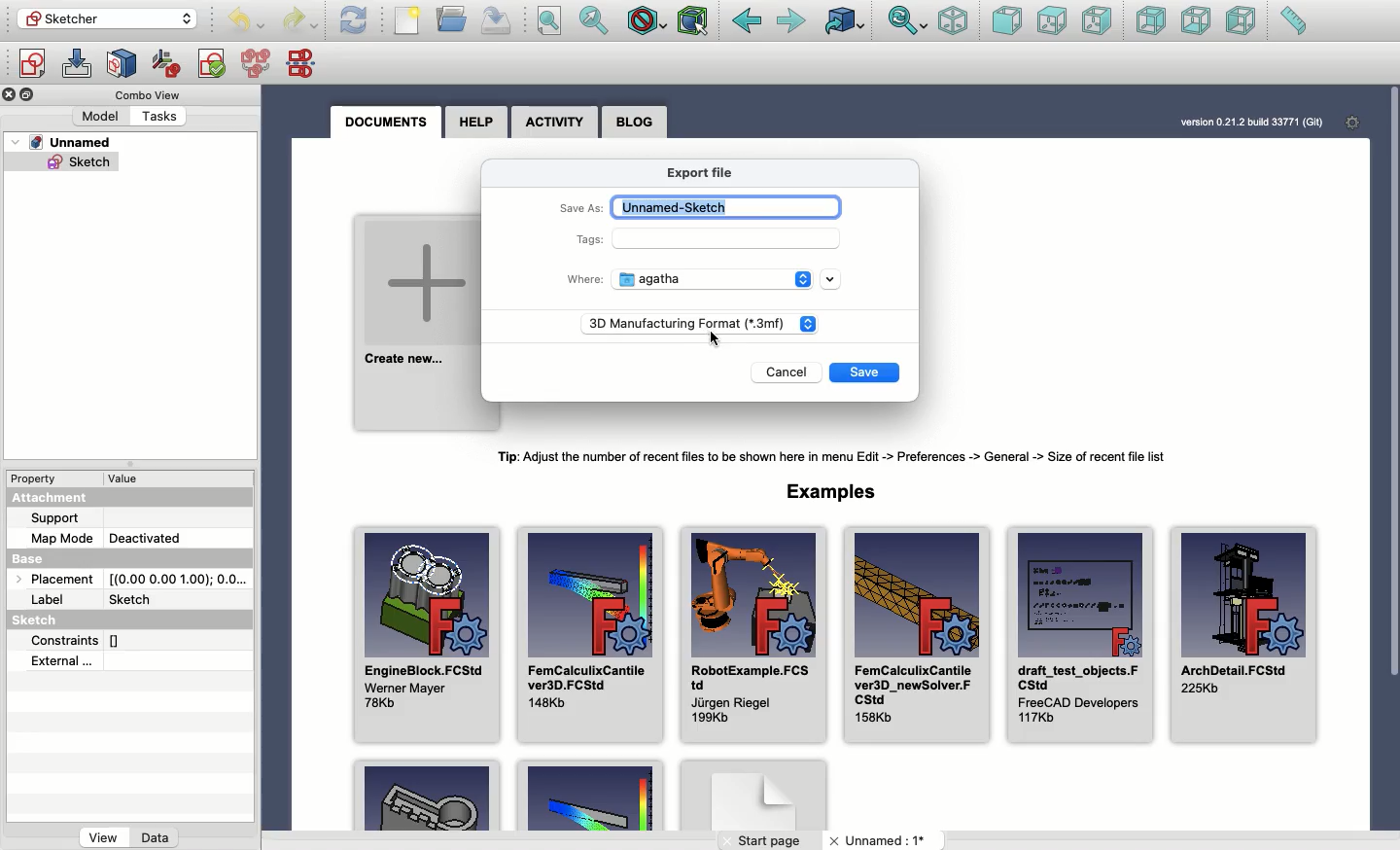  I want to click on Combo view, so click(145, 94).